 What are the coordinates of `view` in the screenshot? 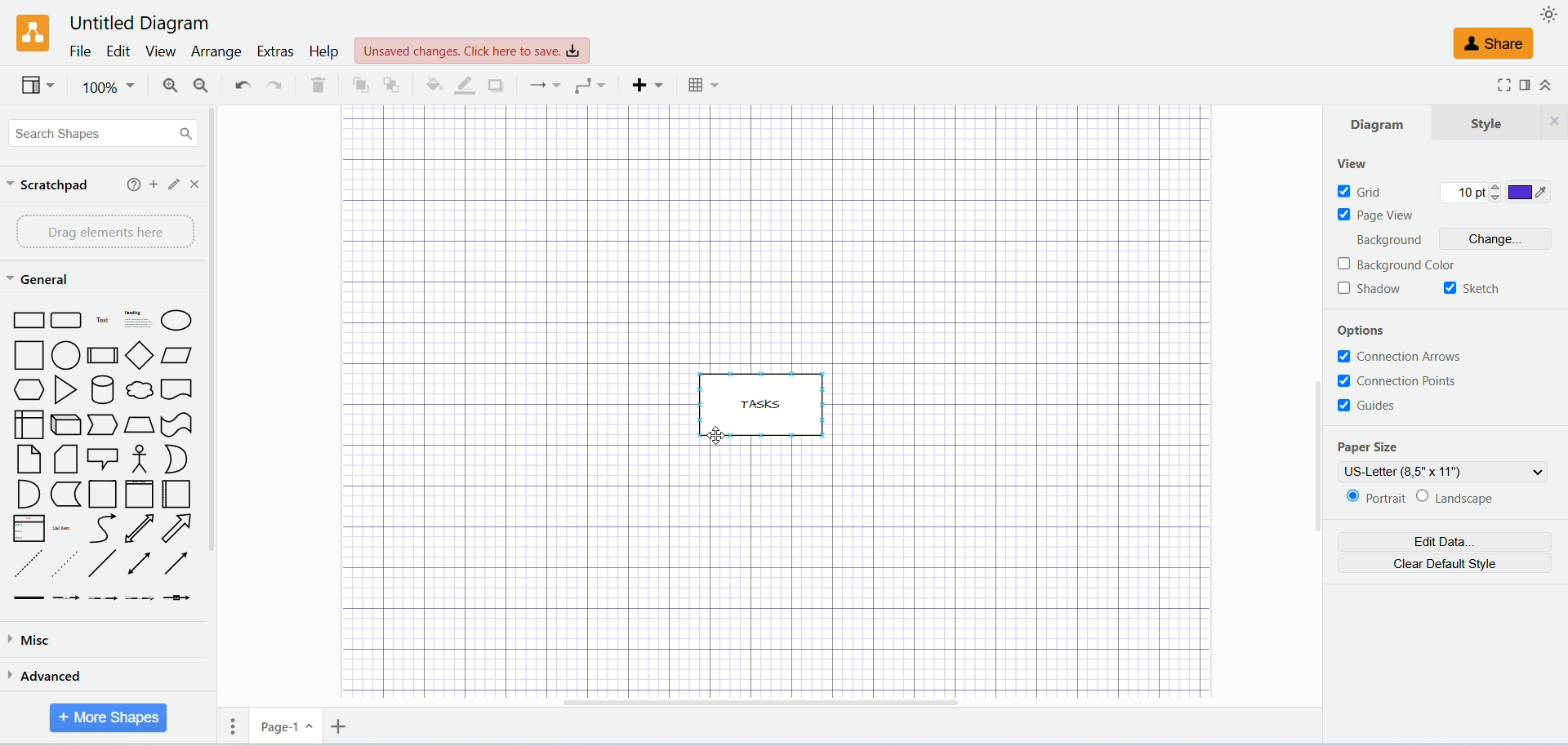 It's located at (158, 51).